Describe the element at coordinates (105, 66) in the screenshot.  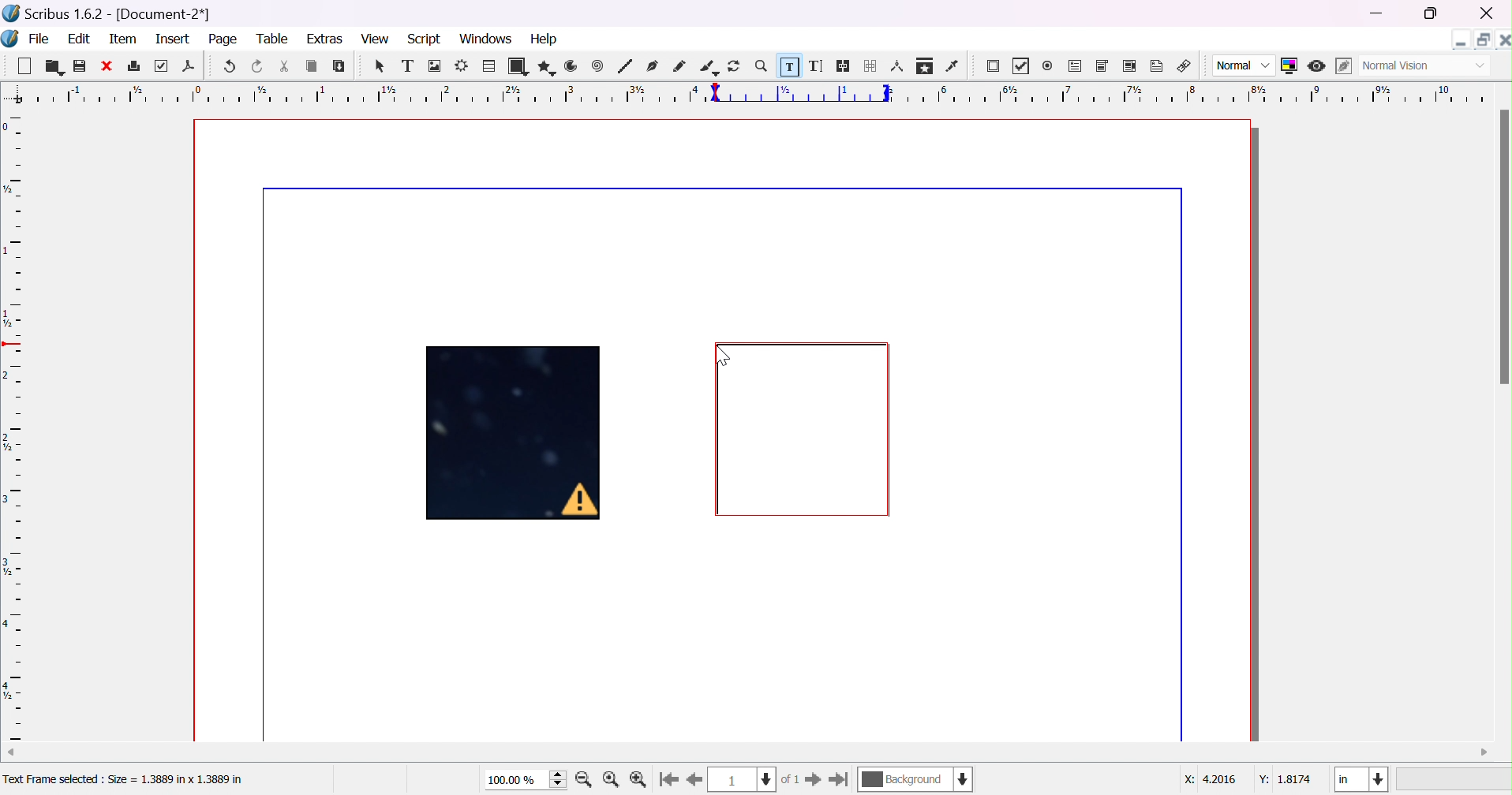
I see `close` at that location.